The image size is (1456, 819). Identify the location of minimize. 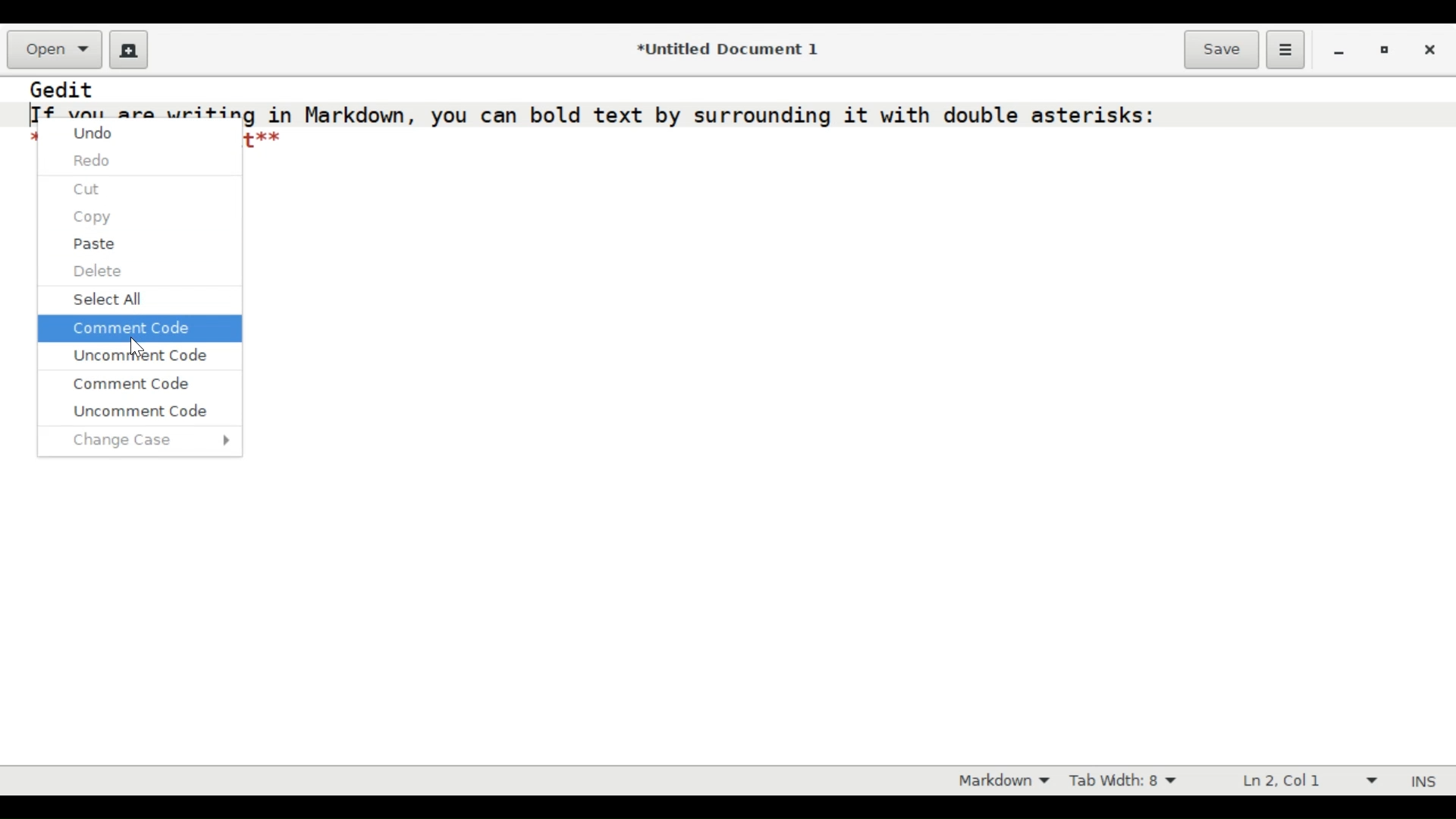
(1339, 52).